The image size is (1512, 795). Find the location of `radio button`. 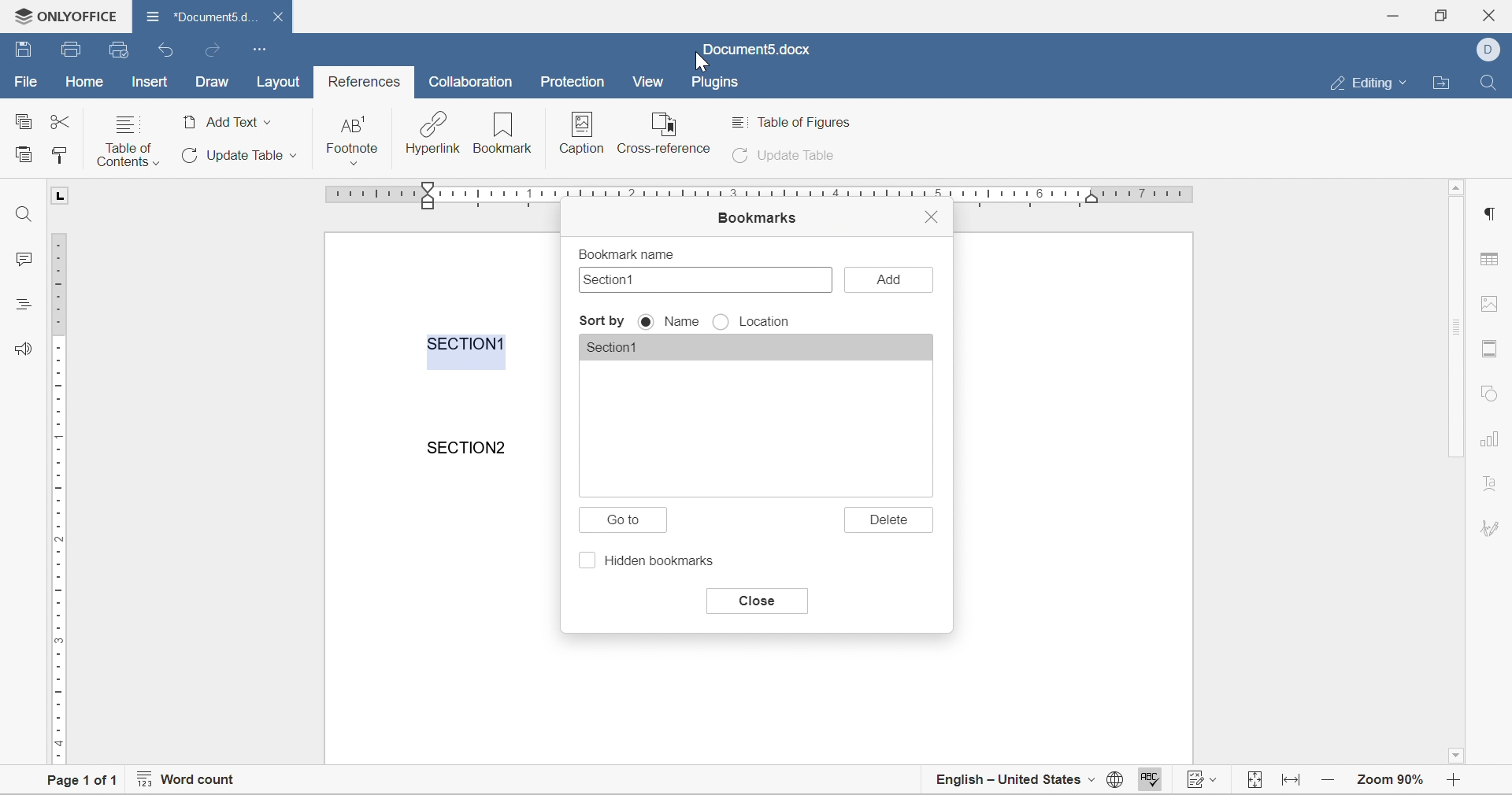

radio button is located at coordinates (648, 322).